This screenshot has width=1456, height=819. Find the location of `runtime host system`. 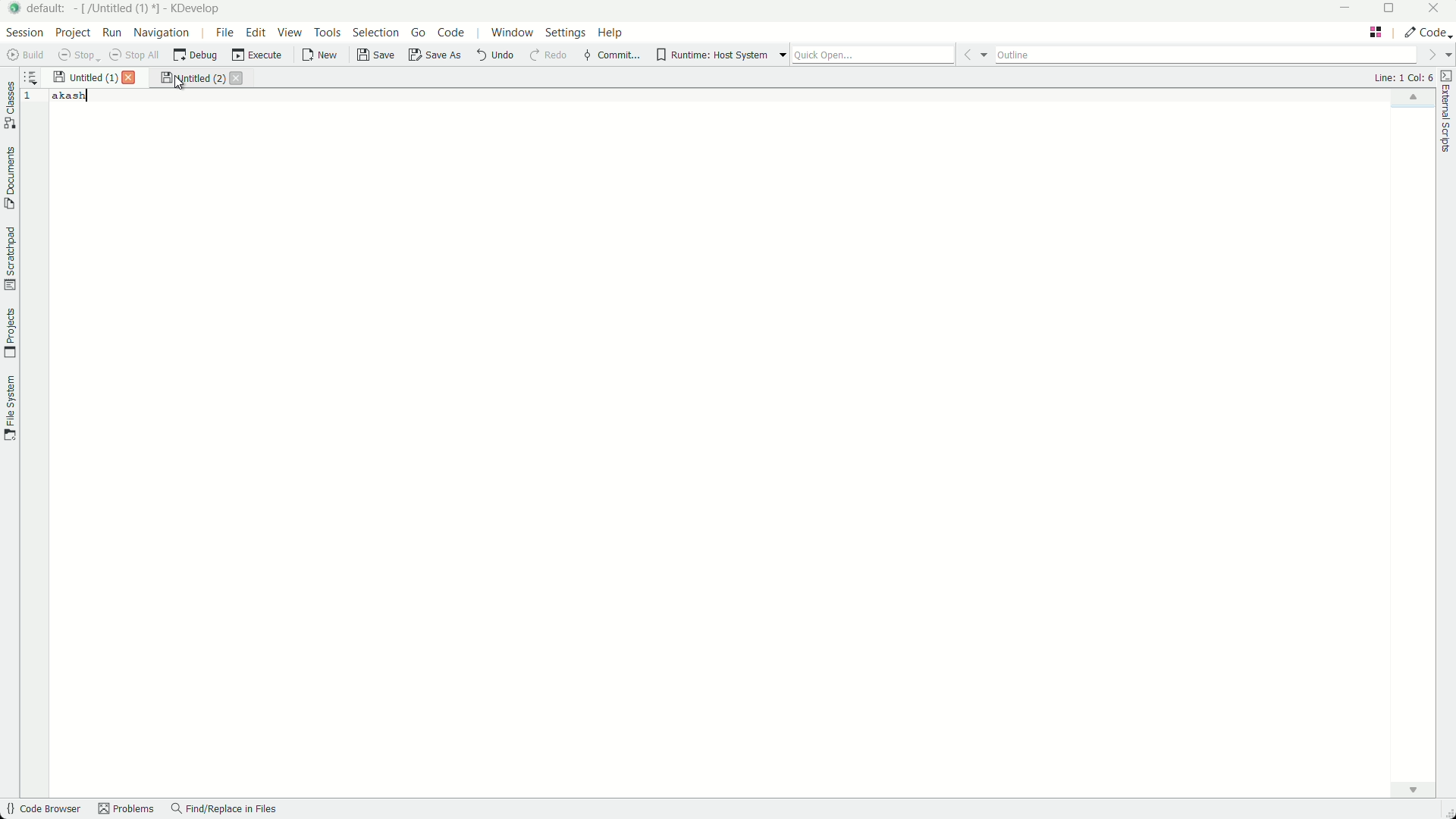

runtime host system is located at coordinates (720, 55).